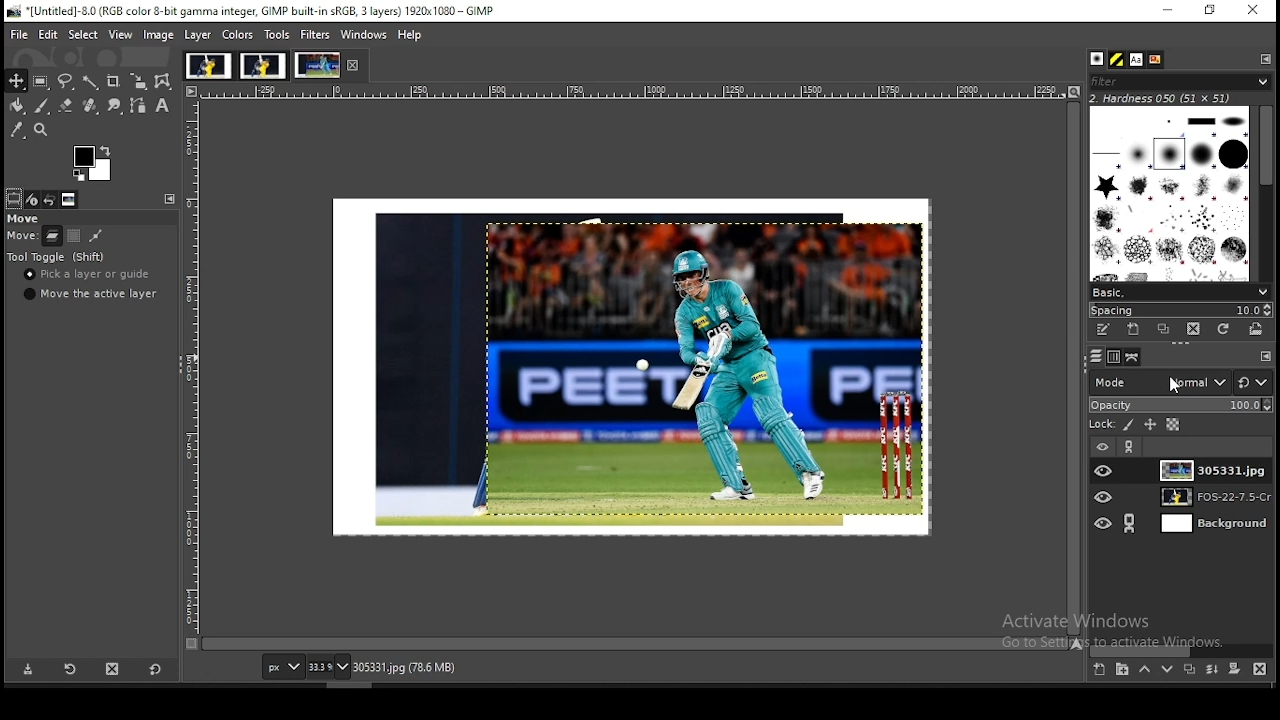 The height and width of the screenshot is (720, 1280). Describe the element at coordinates (1236, 669) in the screenshot. I see `mask` at that location.